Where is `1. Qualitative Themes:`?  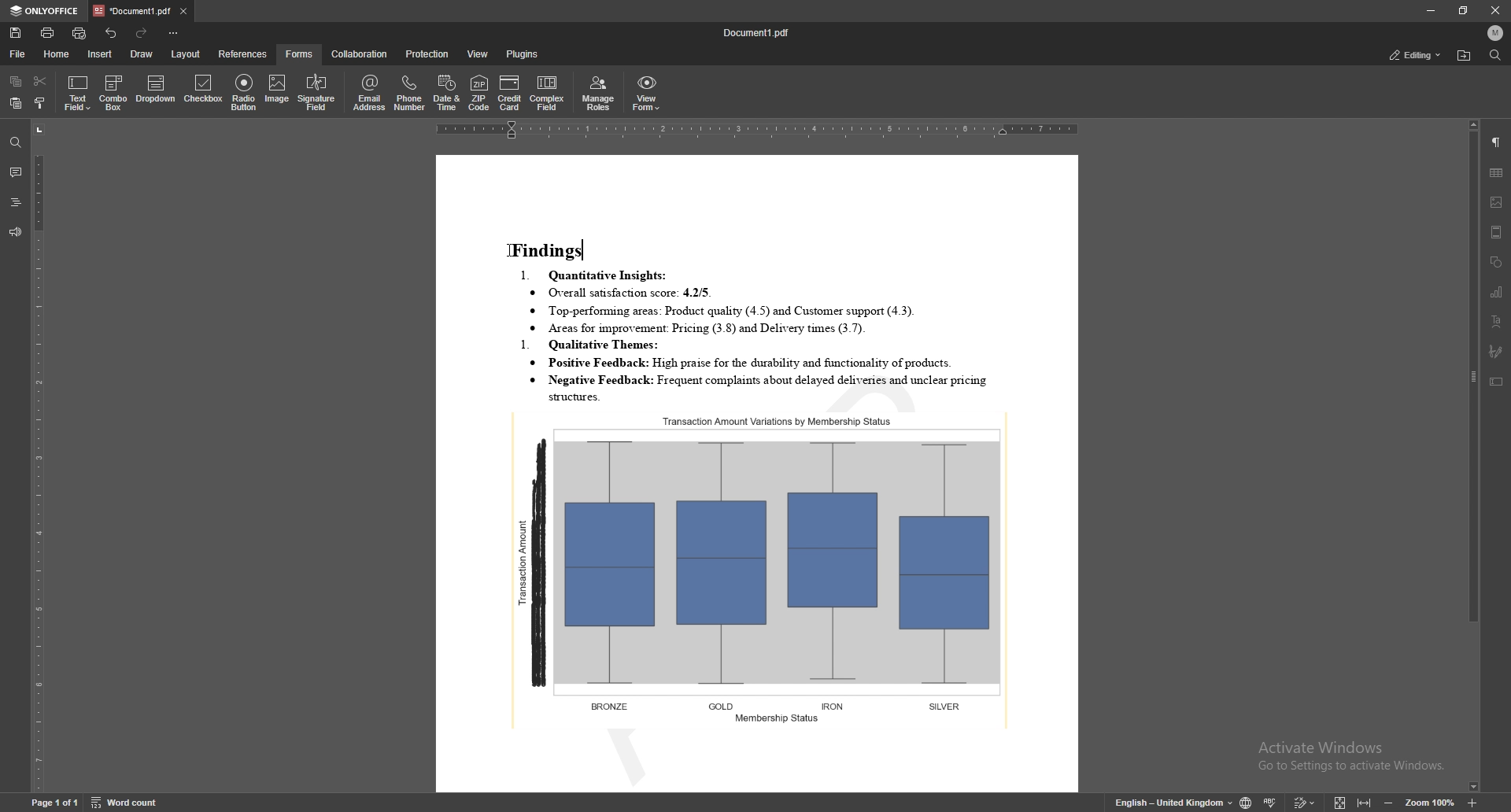
1. Qualitative Themes: is located at coordinates (595, 345).